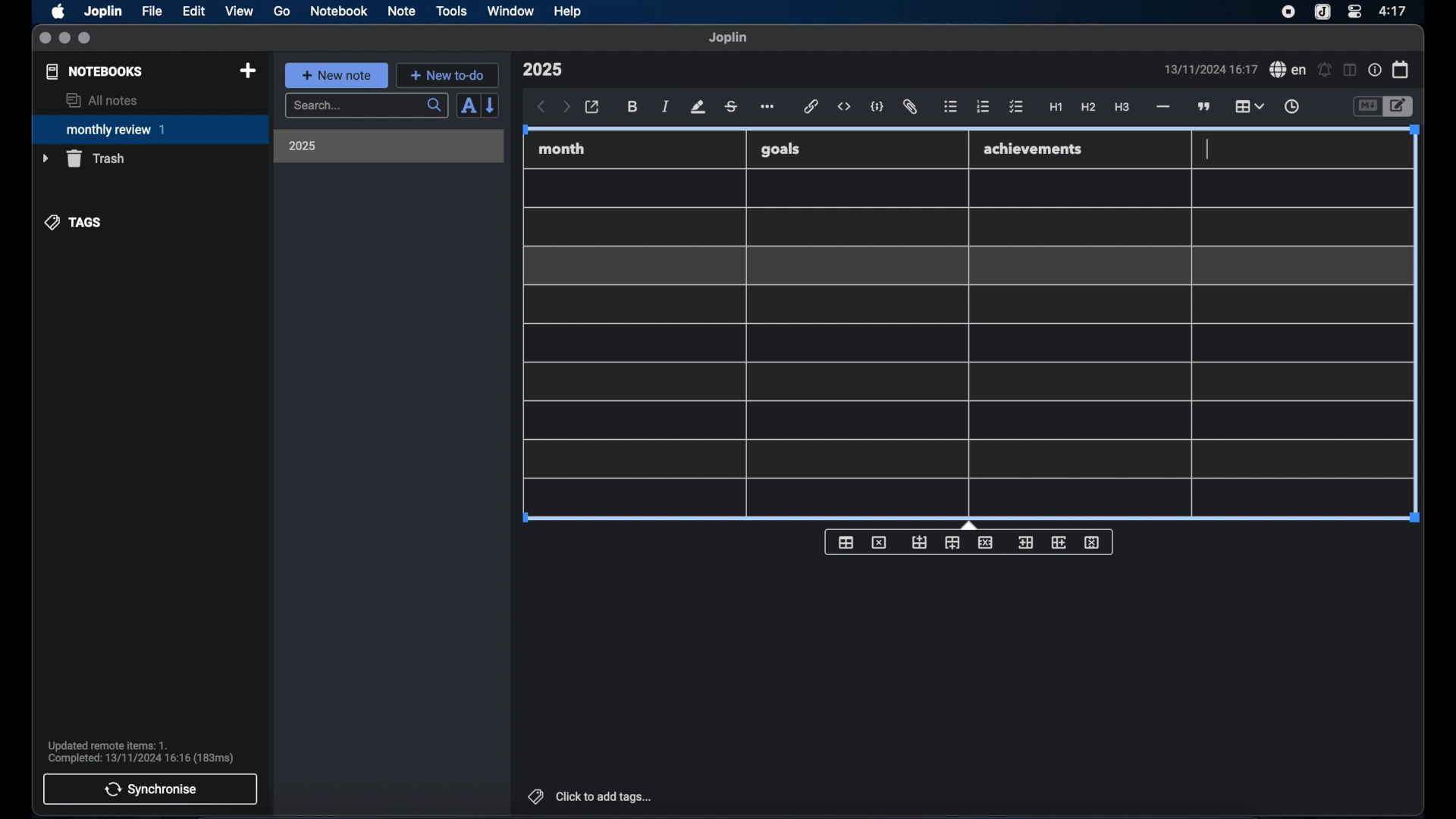  What do you see at coordinates (591, 796) in the screenshot?
I see `click to add tags` at bounding box center [591, 796].